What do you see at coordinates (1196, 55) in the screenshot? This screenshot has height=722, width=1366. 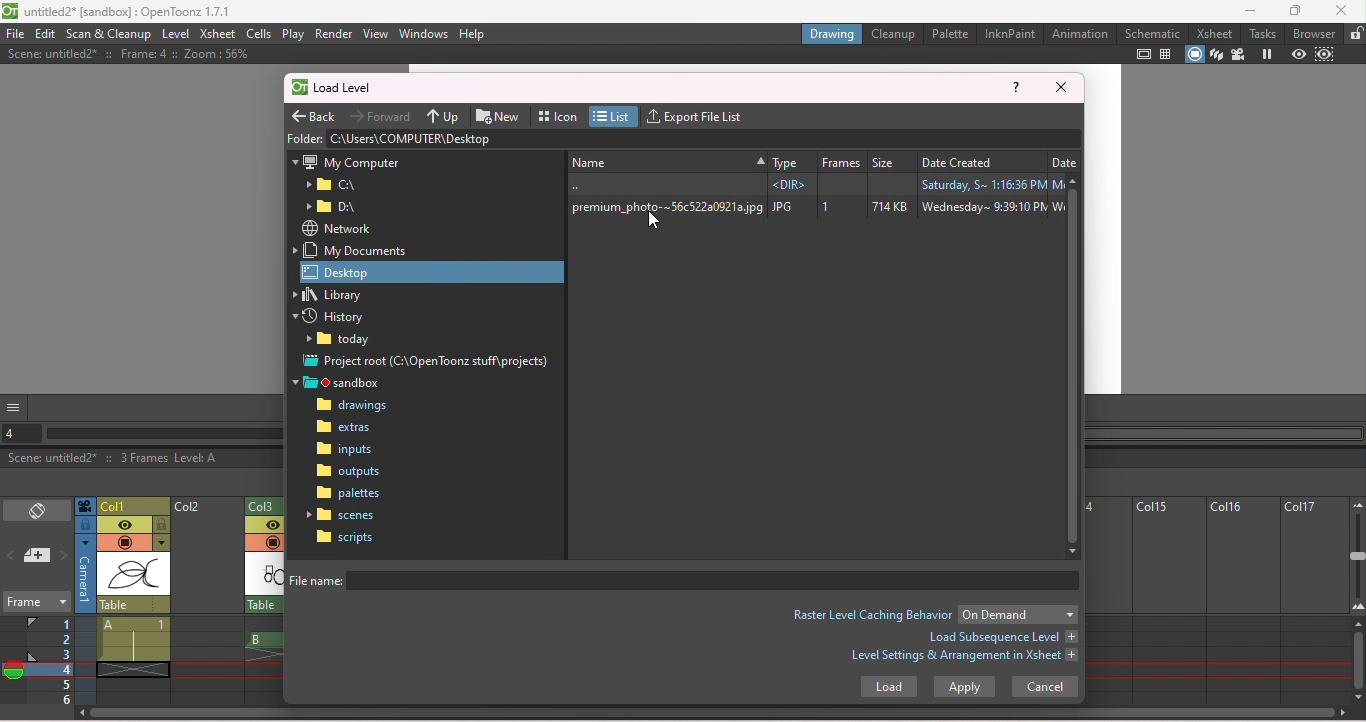 I see `Camera stand view` at bounding box center [1196, 55].